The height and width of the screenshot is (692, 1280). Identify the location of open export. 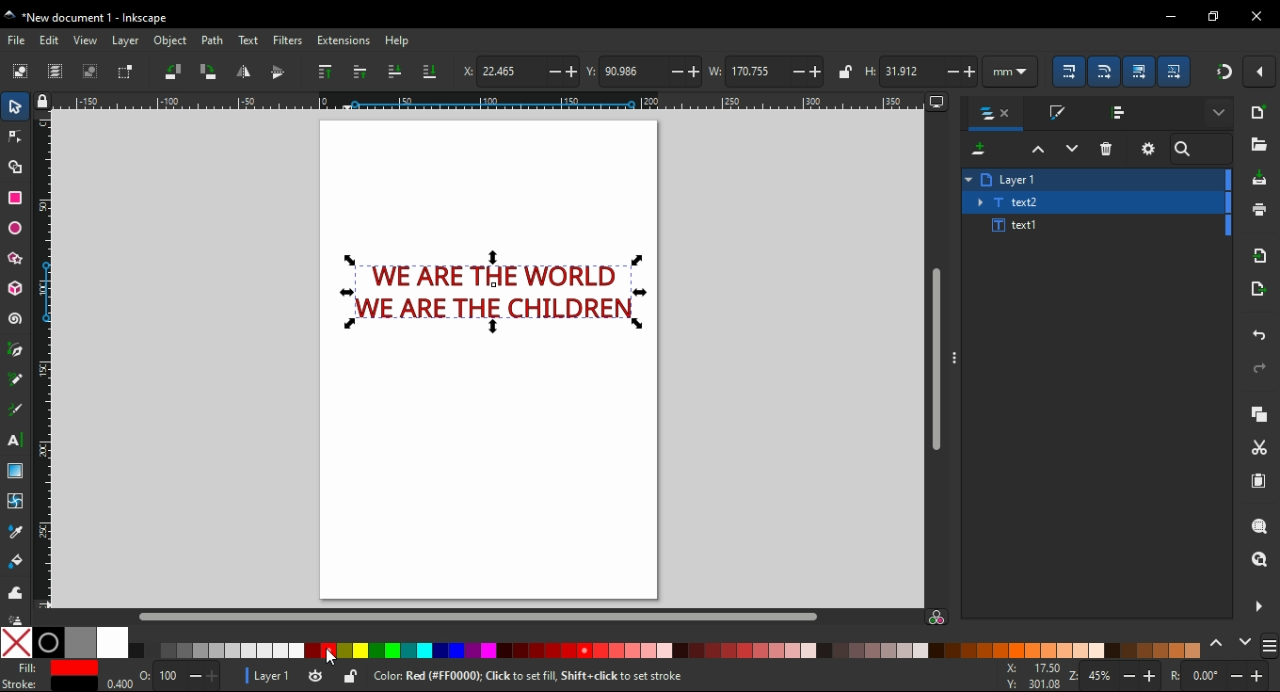
(1260, 289).